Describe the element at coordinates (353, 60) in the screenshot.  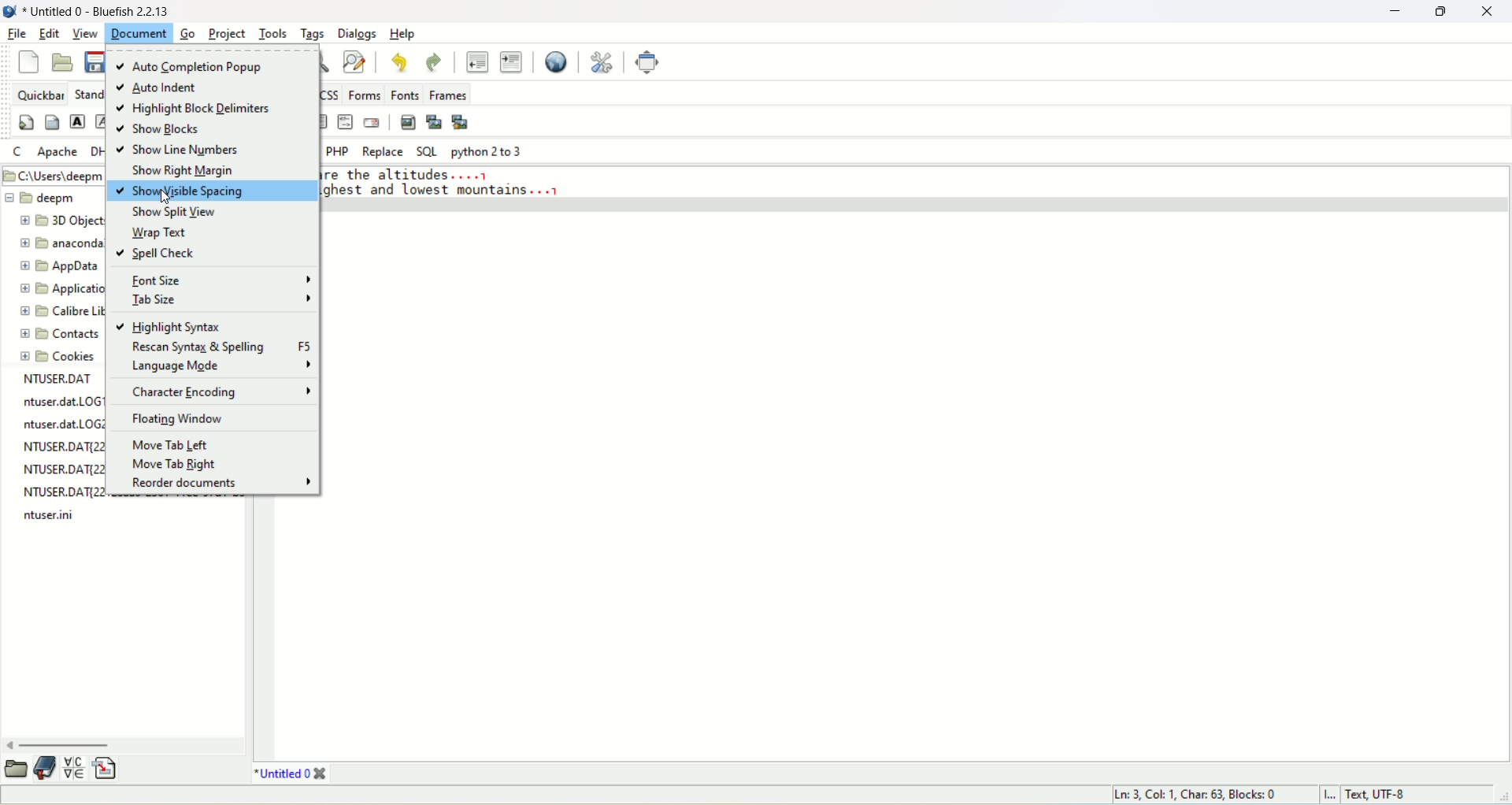
I see `advanced find and replace` at that location.